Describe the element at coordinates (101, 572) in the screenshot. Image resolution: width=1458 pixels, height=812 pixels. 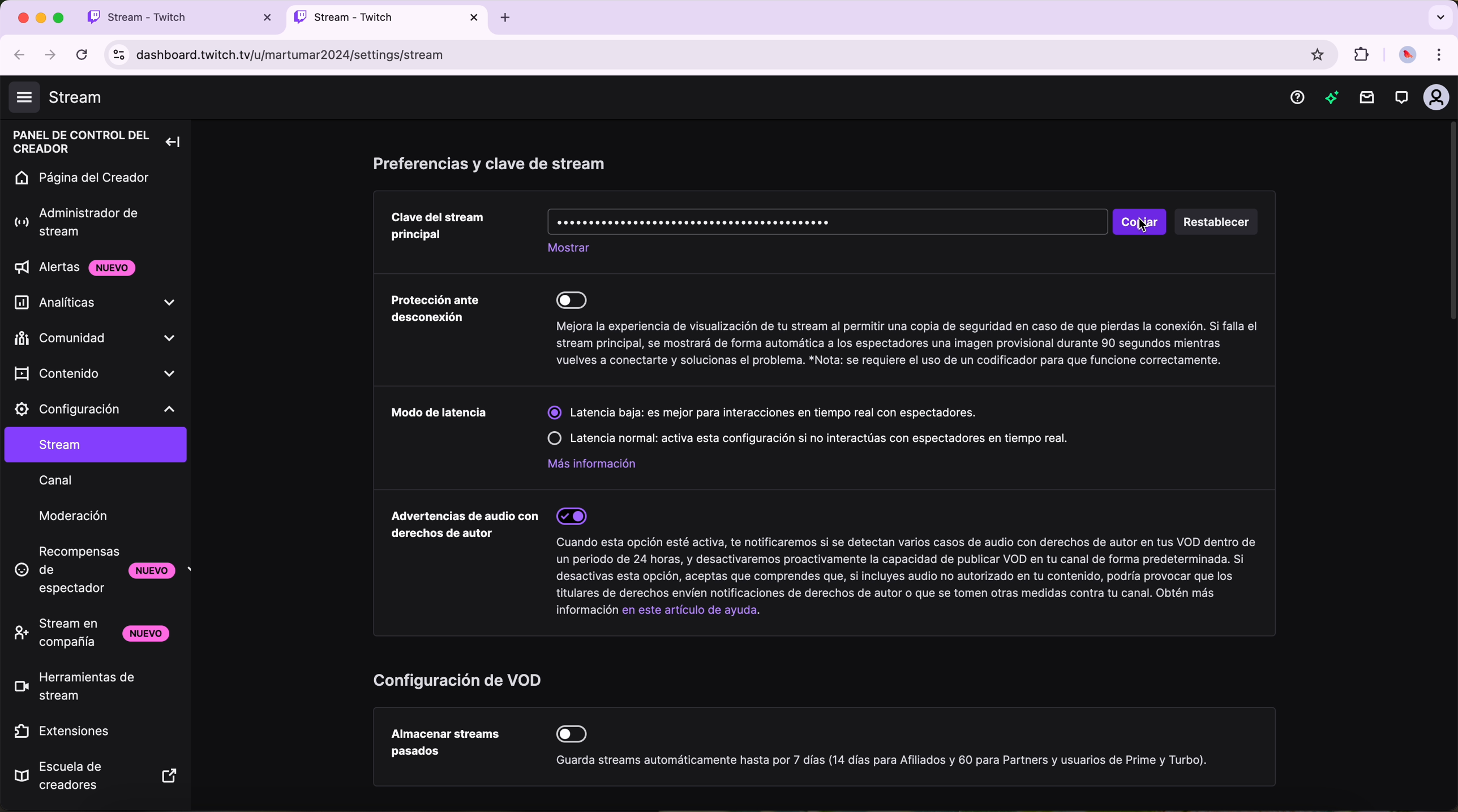
I see `viewer rewards` at that location.